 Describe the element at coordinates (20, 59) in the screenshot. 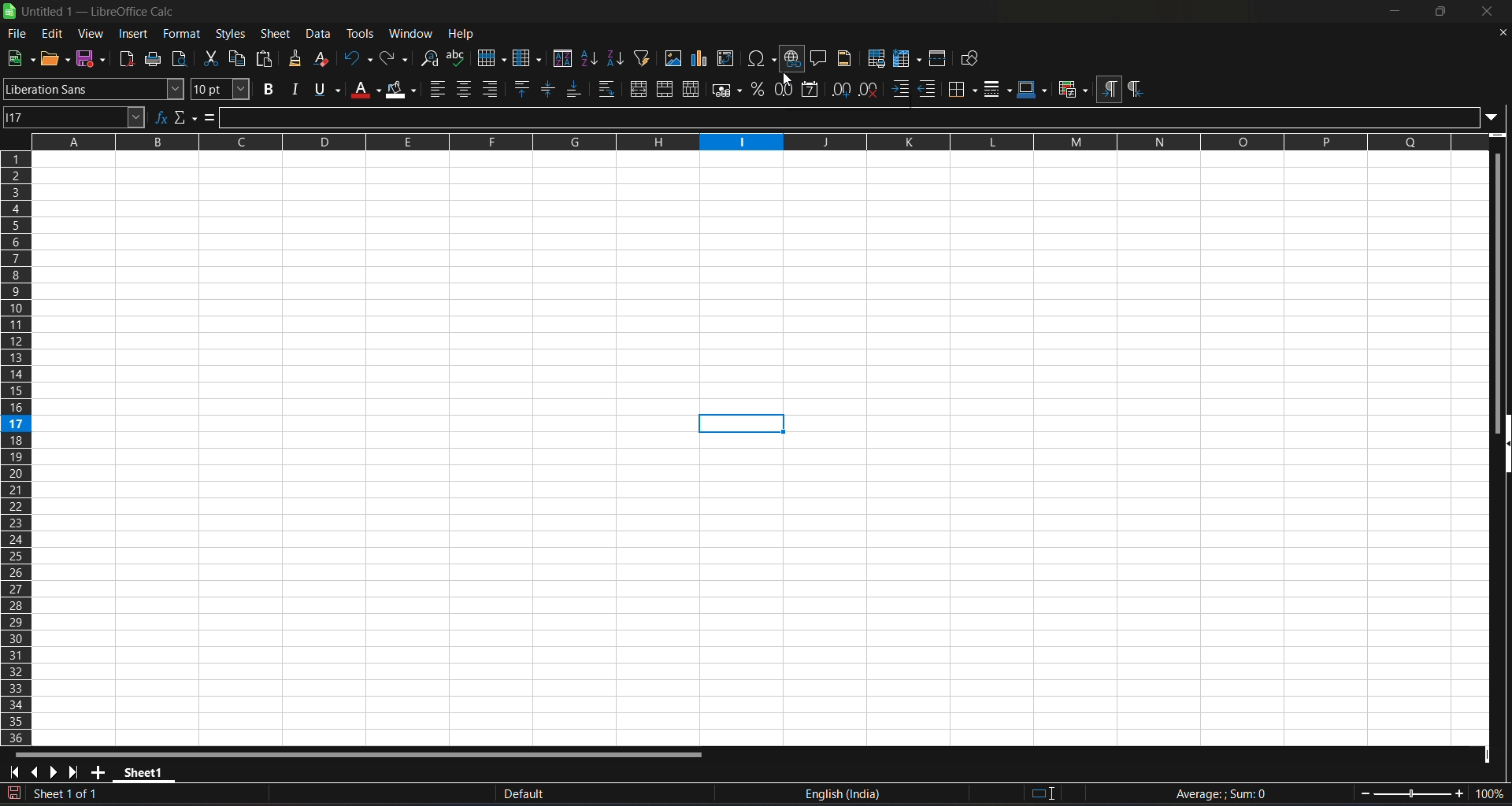

I see `save` at that location.